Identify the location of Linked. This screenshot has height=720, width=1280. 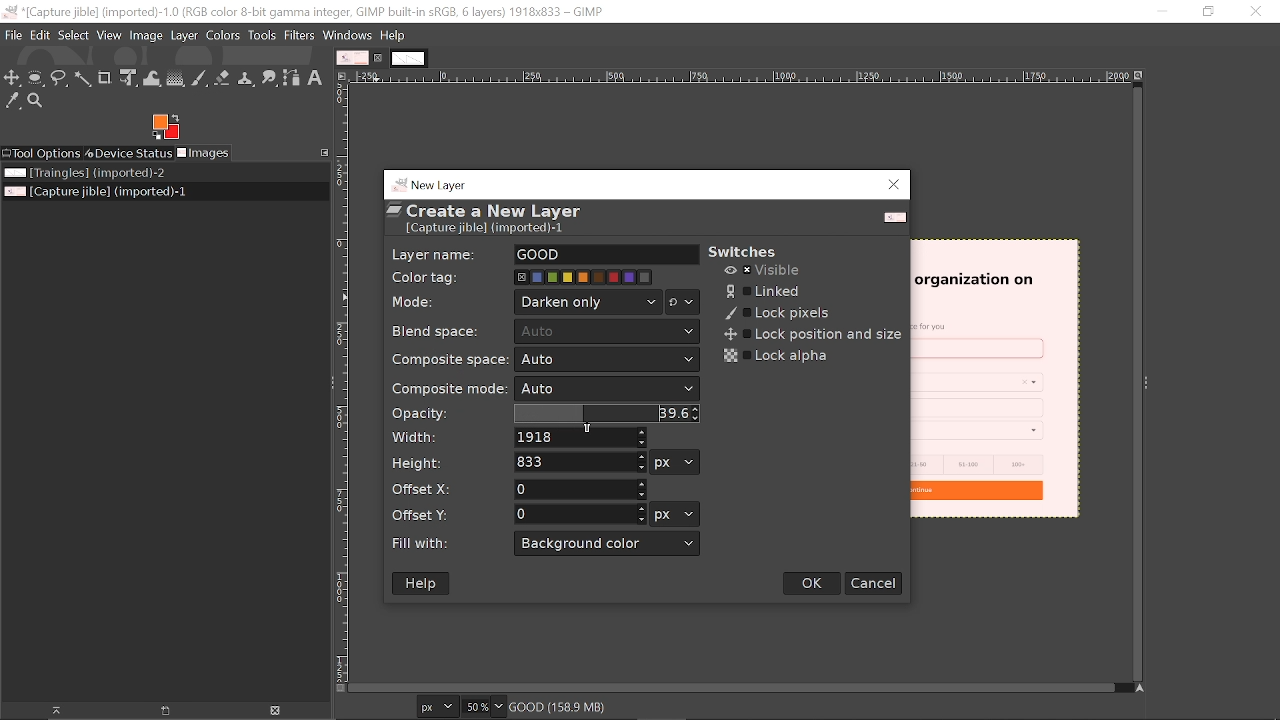
(765, 291).